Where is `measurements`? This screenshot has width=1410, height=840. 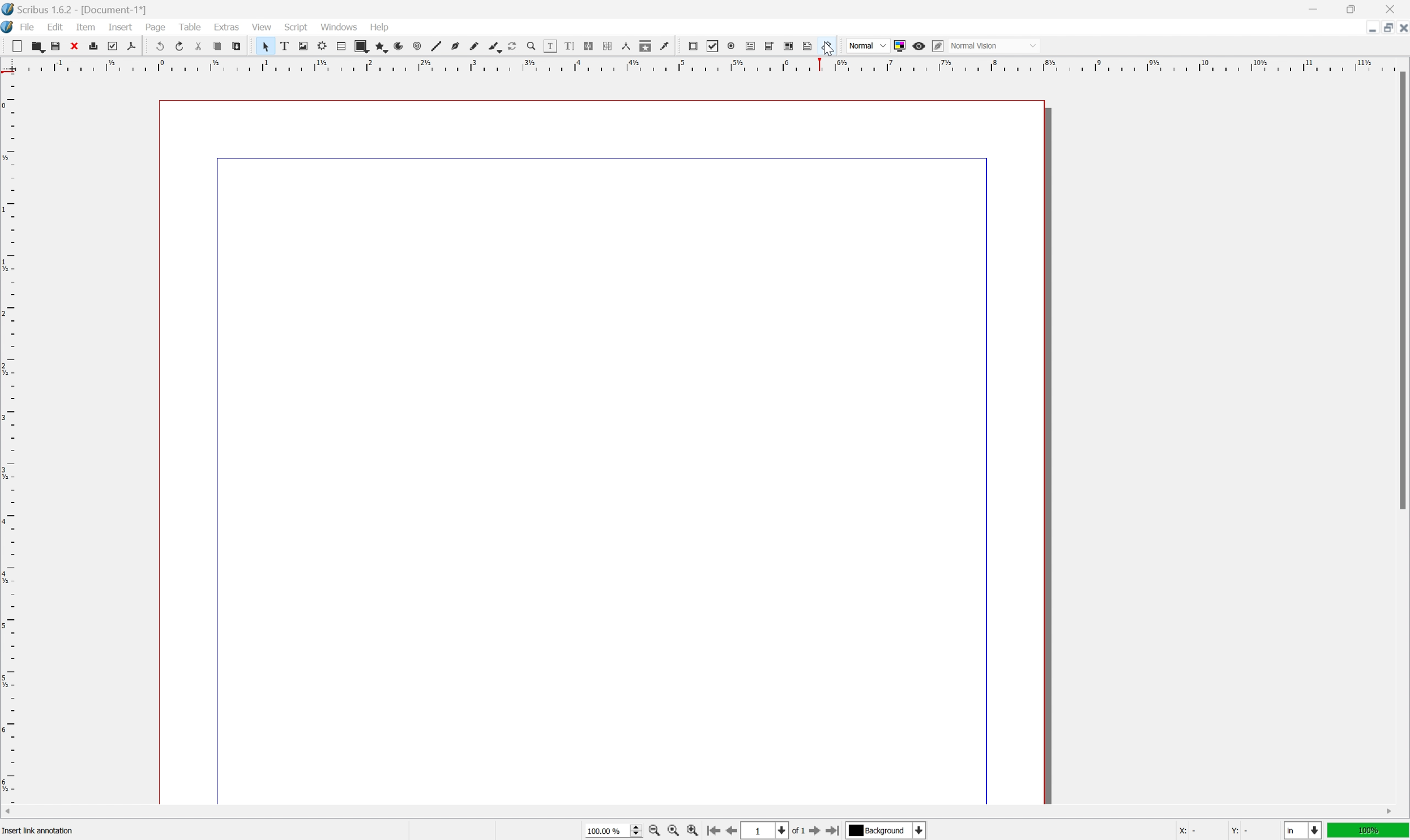
measurements is located at coordinates (626, 46).